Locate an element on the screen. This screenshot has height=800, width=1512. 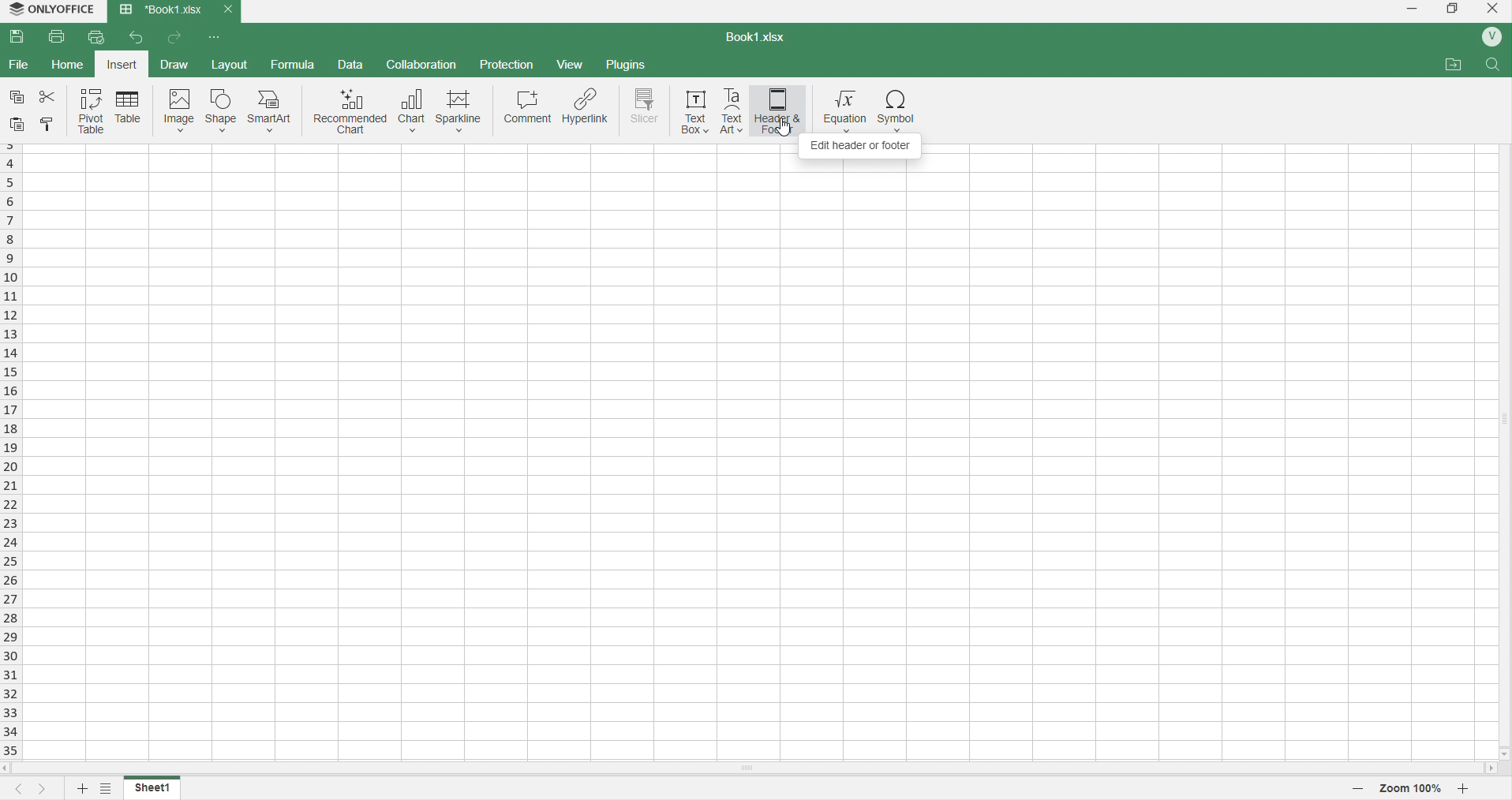
print is located at coordinates (58, 36).